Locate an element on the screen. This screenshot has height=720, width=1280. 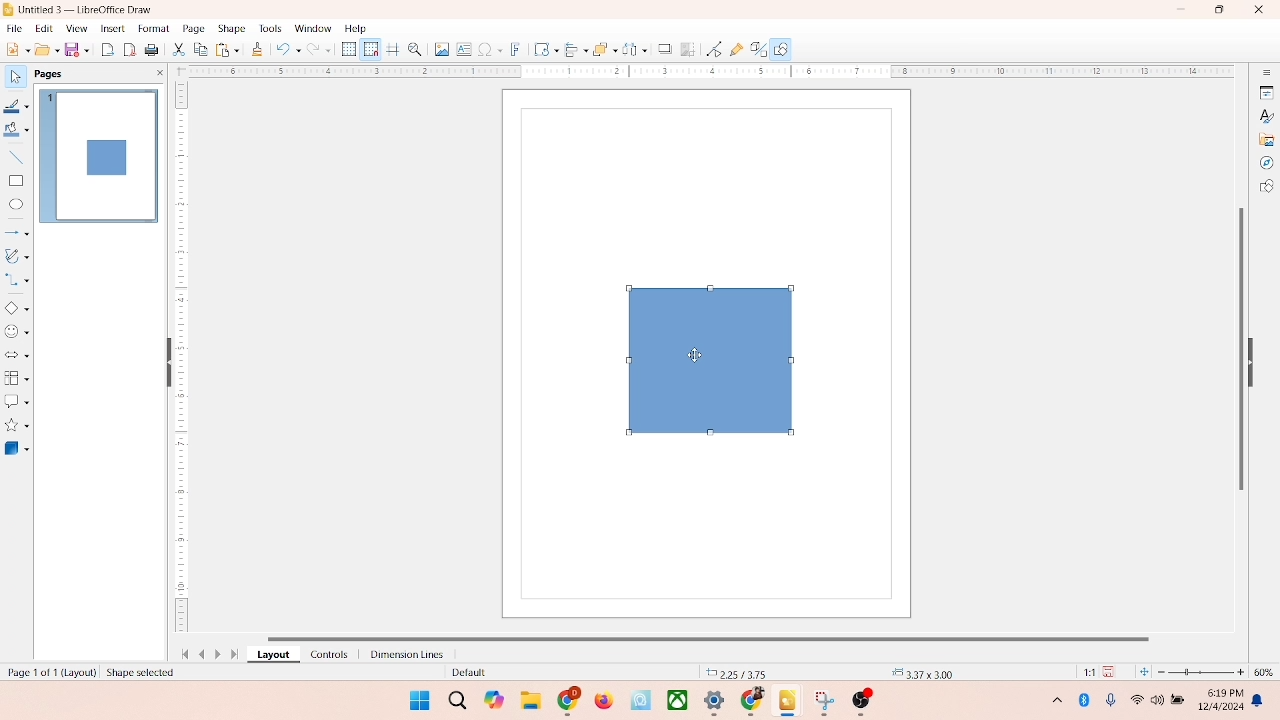
ellipse is located at coordinates (16, 205).